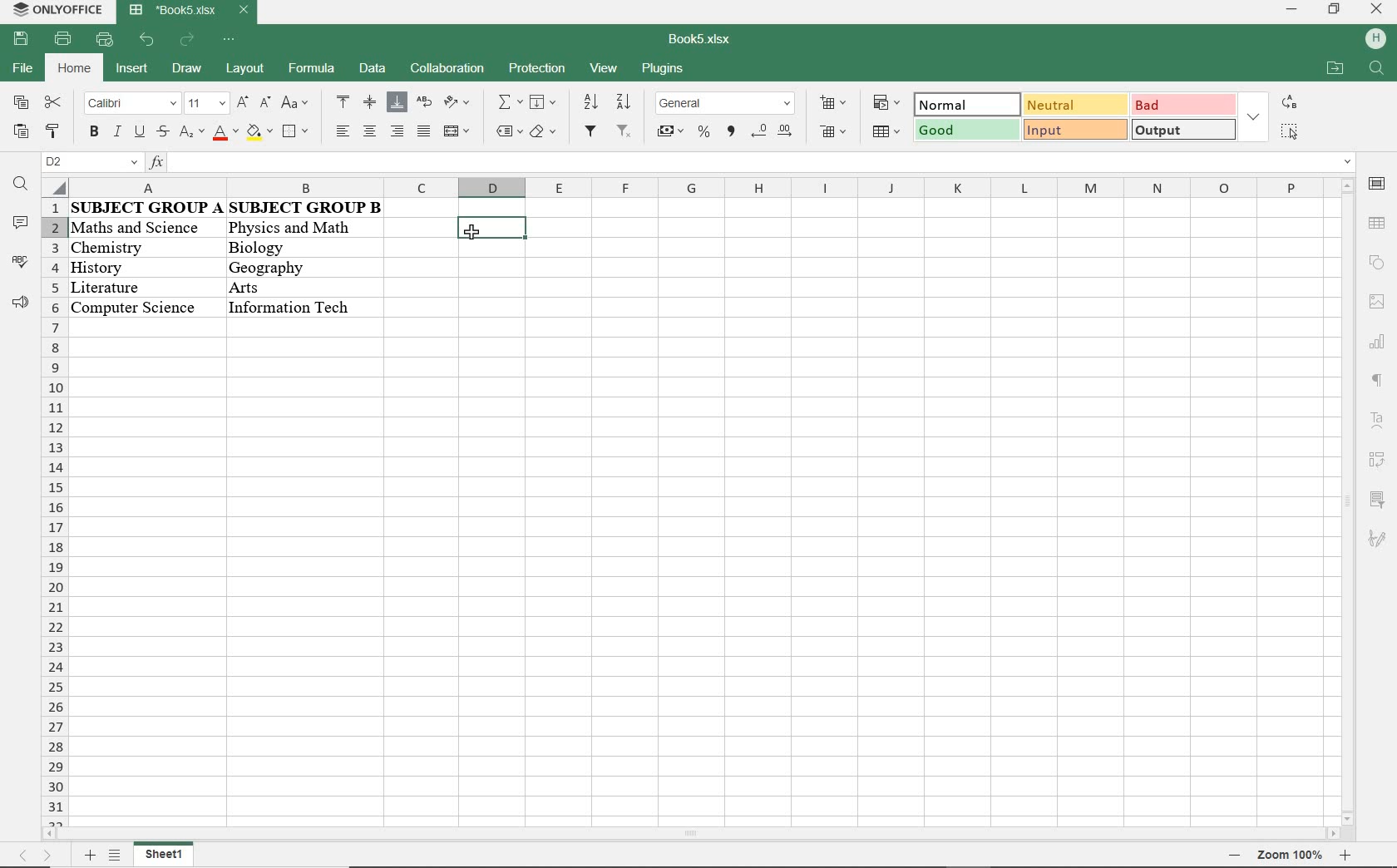 This screenshot has width=1397, height=868. What do you see at coordinates (191, 132) in the screenshot?
I see `subscript/superscript` at bounding box center [191, 132].